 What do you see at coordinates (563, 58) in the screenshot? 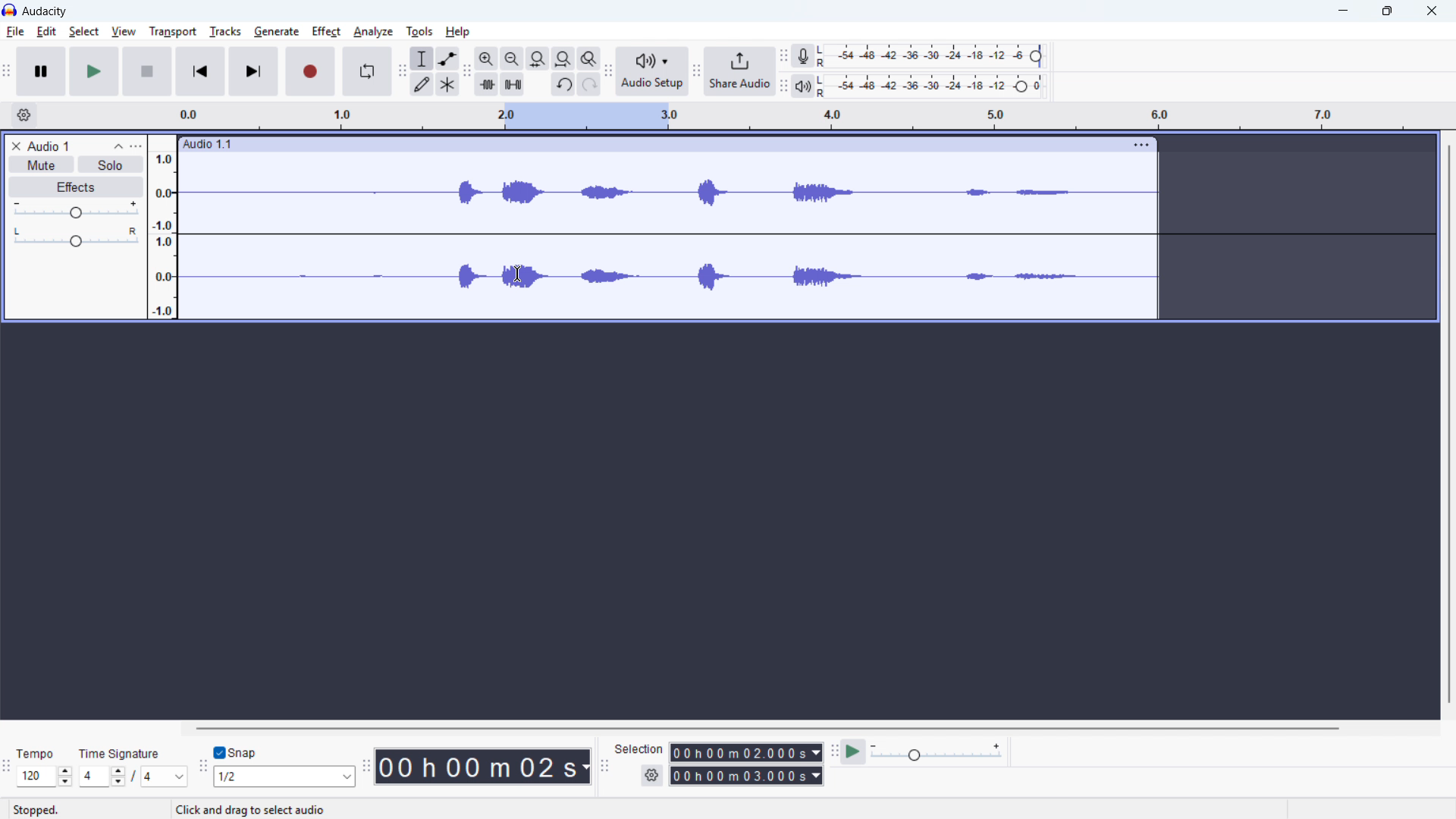
I see `Fit project to width` at bounding box center [563, 58].